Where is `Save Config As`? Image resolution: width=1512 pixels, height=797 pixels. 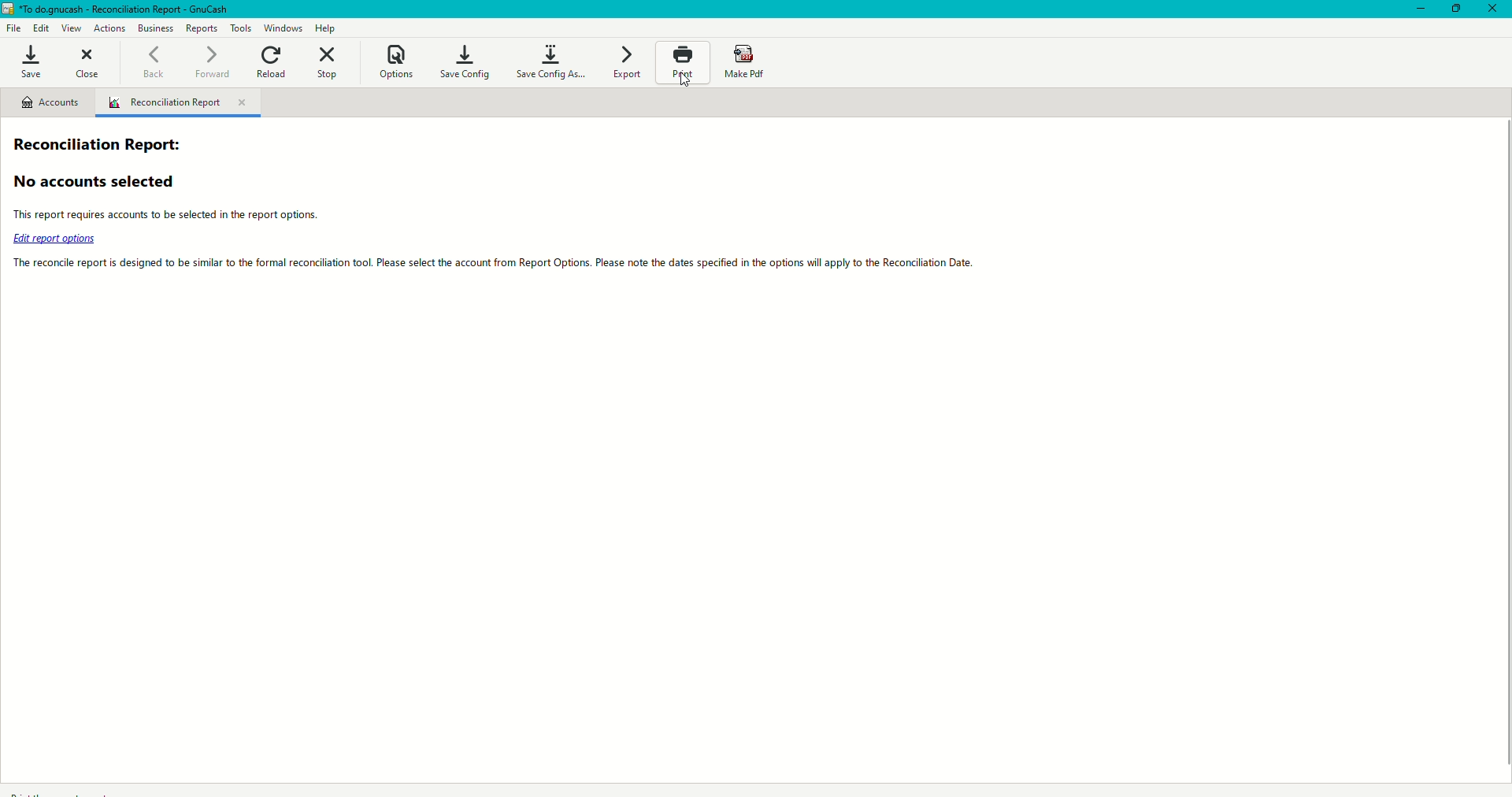 Save Config As is located at coordinates (547, 60).